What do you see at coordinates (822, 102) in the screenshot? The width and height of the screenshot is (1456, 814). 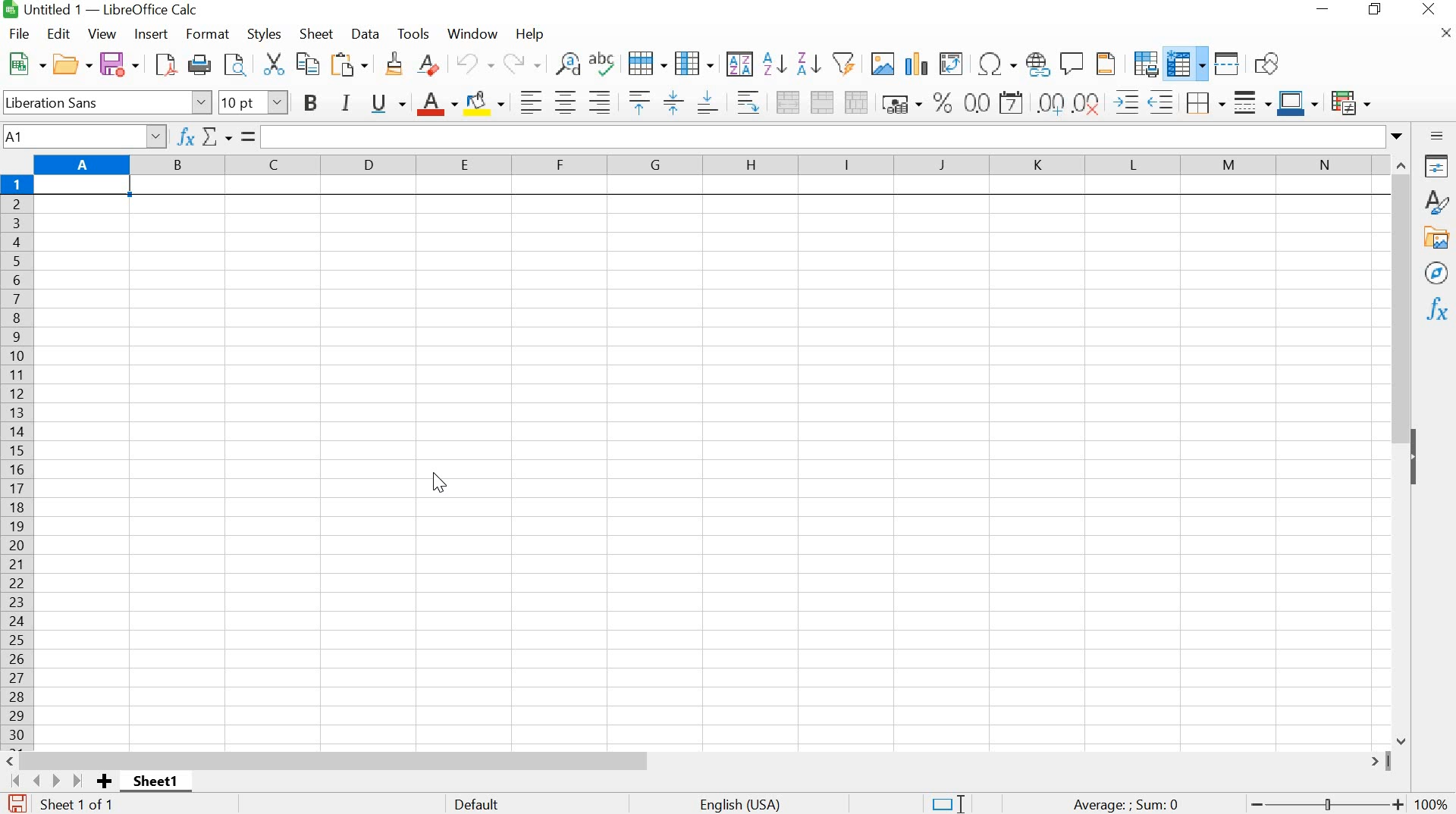 I see `MERGE OR UNMERGE CELLS` at bounding box center [822, 102].